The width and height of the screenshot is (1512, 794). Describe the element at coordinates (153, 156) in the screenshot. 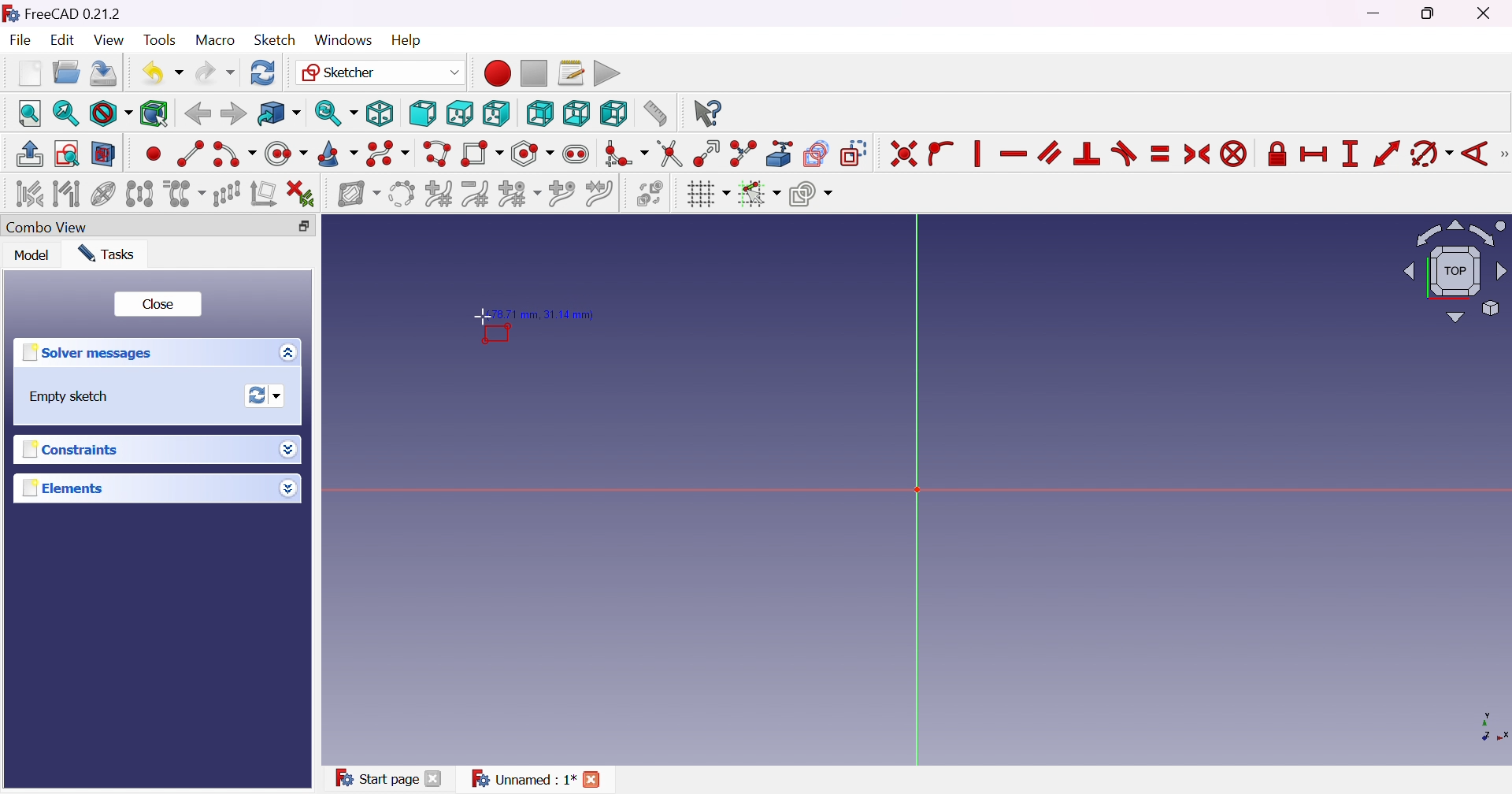

I see `Create point` at that location.